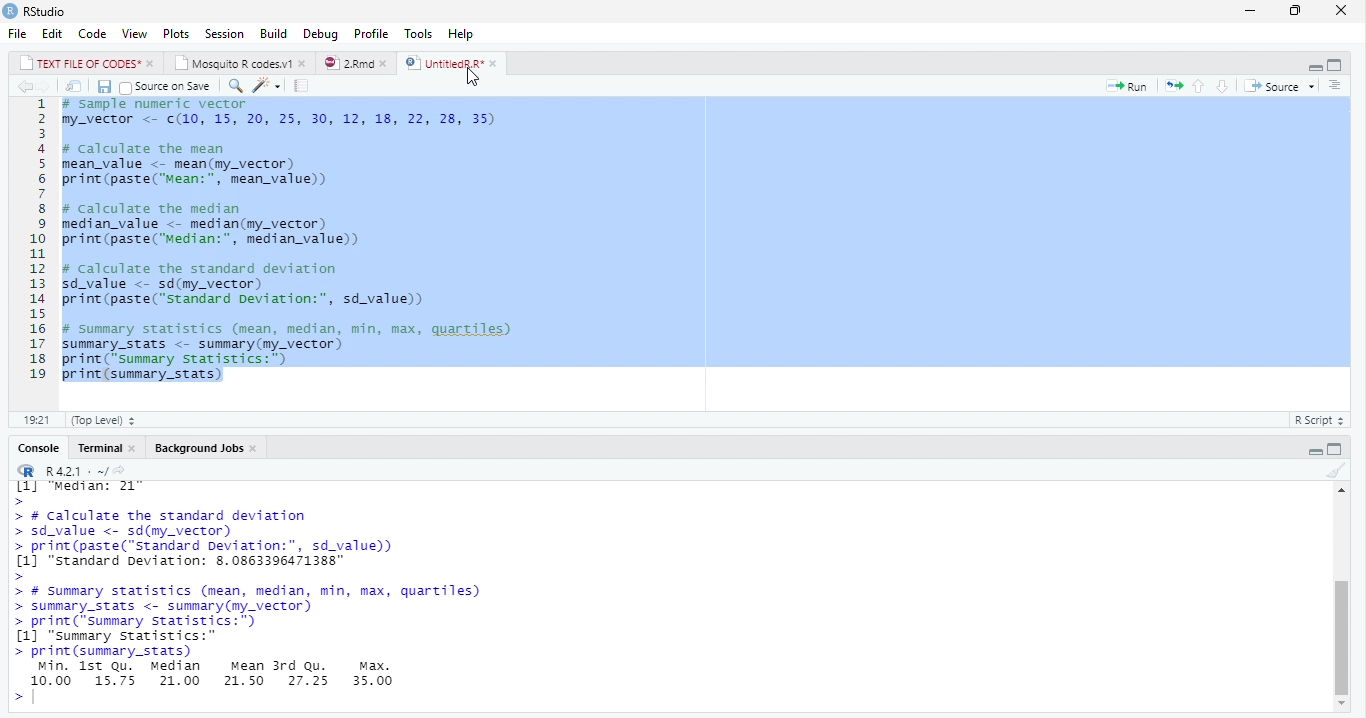  What do you see at coordinates (135, 34) in the screenshot?
I see `view` at bounding box center [135, 34].